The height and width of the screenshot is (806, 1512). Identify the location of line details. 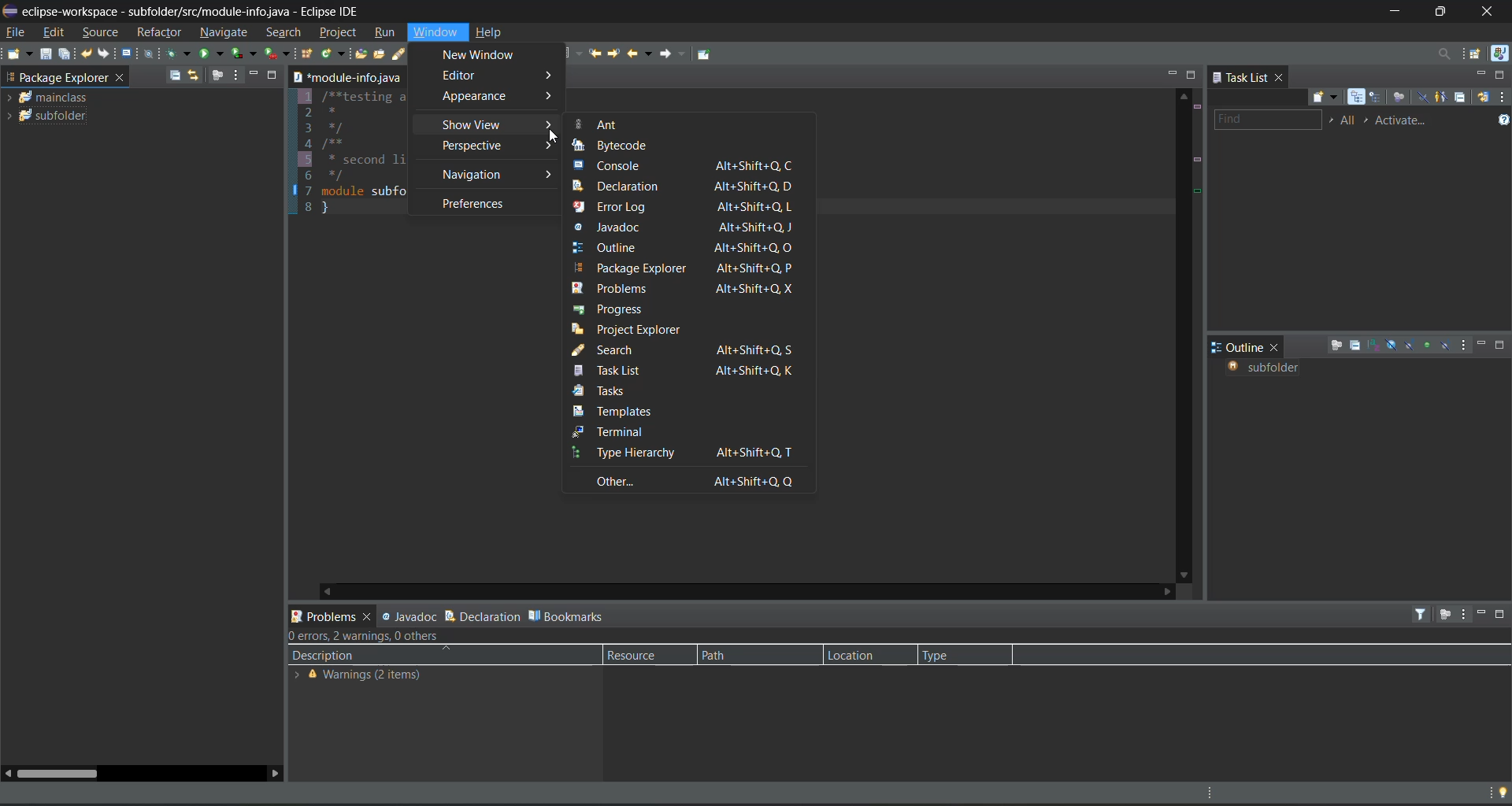
(1200, 178).